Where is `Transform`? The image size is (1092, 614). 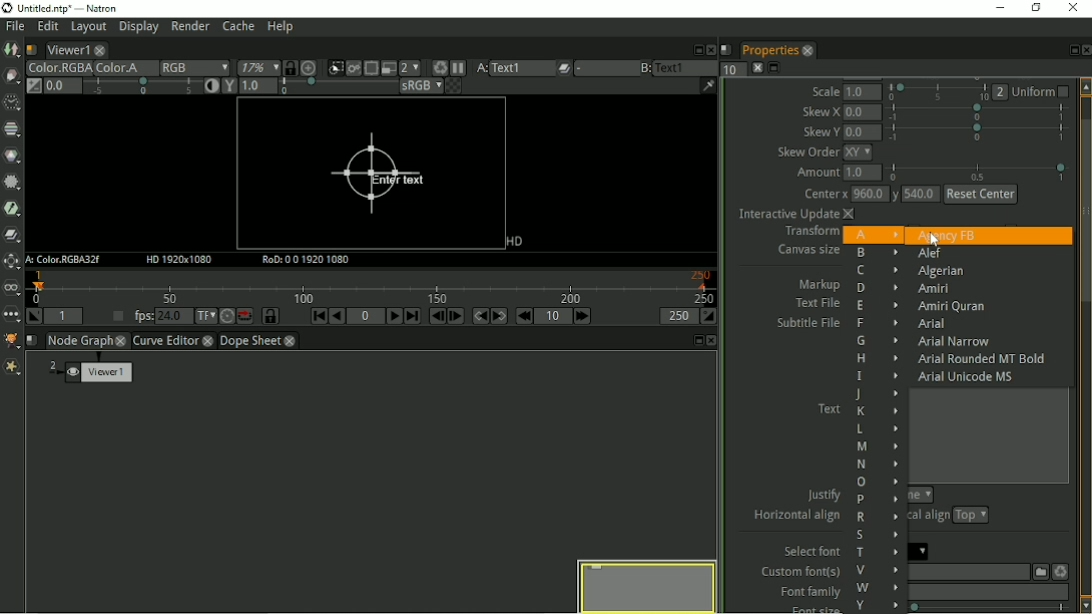
Transform is located at coordinates (11, 262).